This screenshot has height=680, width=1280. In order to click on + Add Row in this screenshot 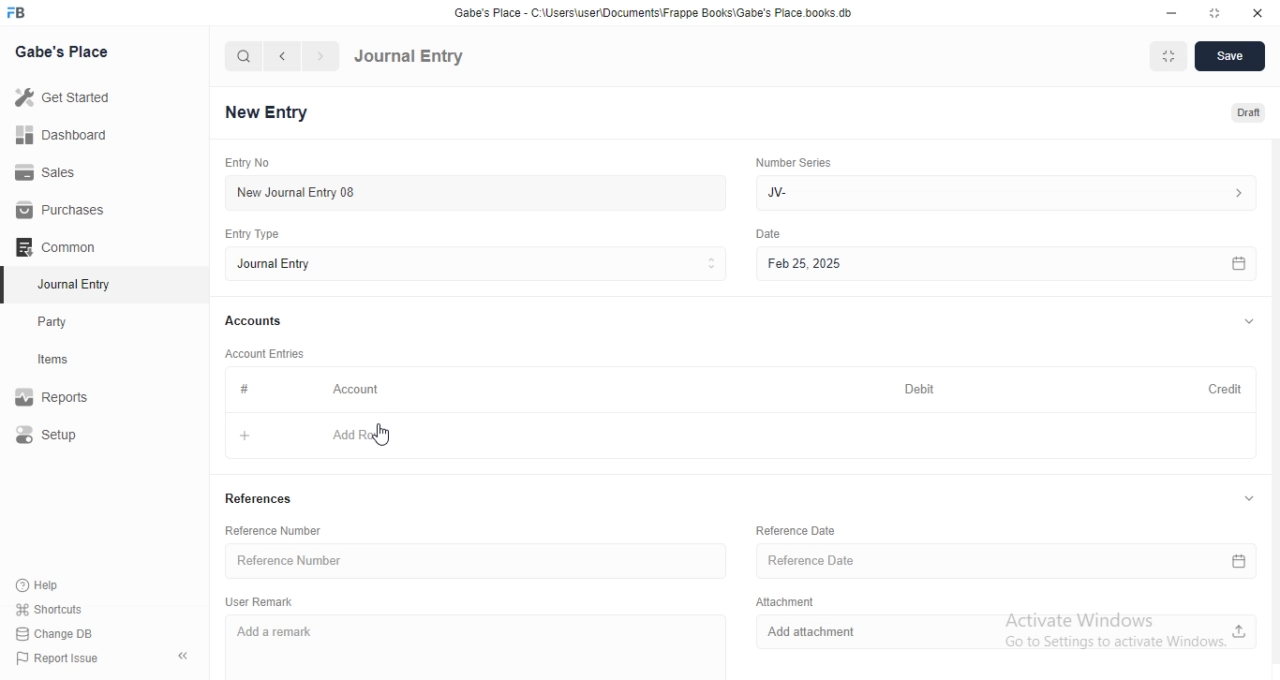, I will do `click(735, 436)`.